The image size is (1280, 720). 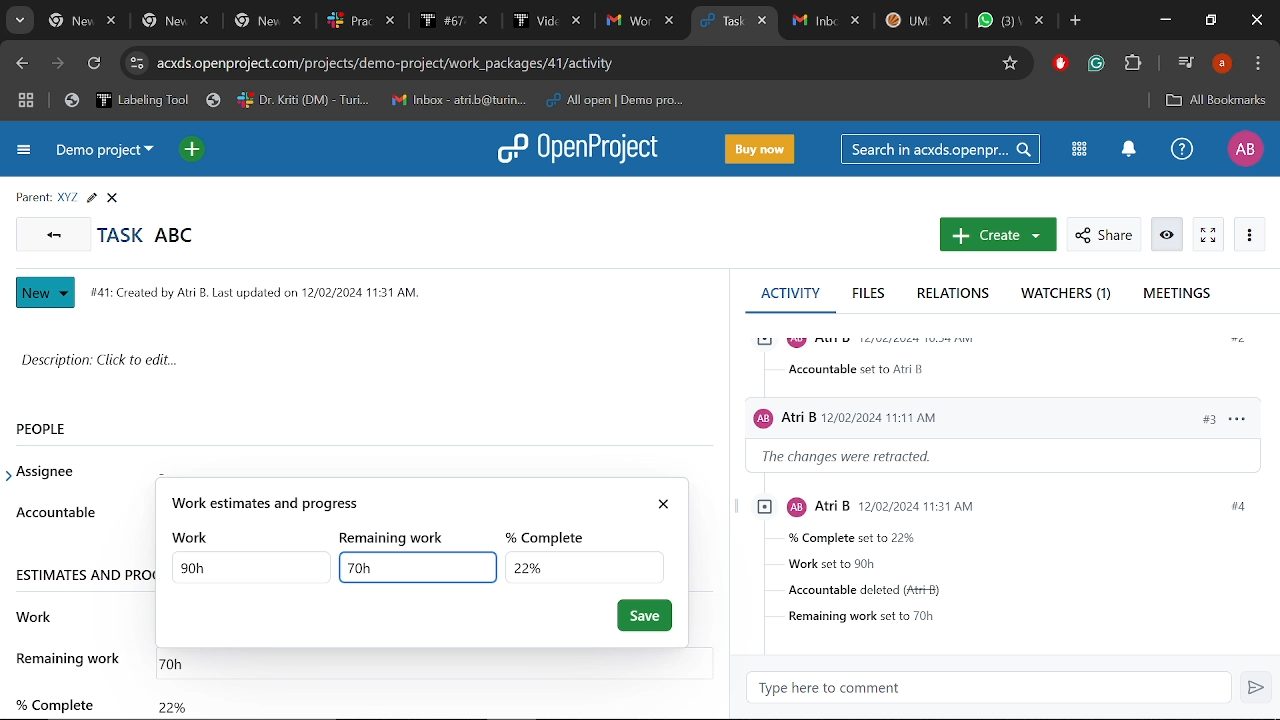 I want to click on Share, so click(x=1102, y=235).